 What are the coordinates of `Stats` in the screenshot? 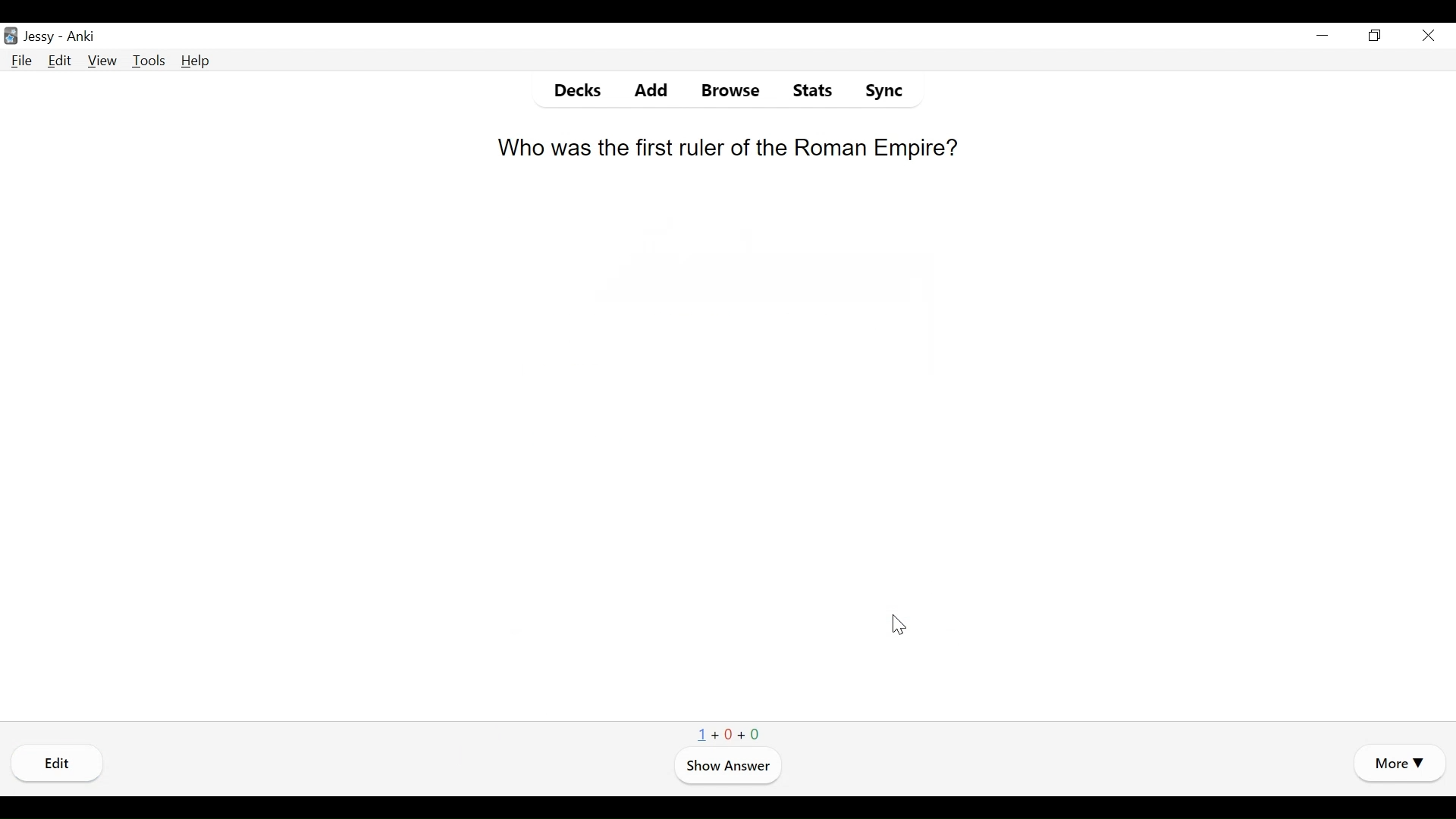 It's located at (811, 91).